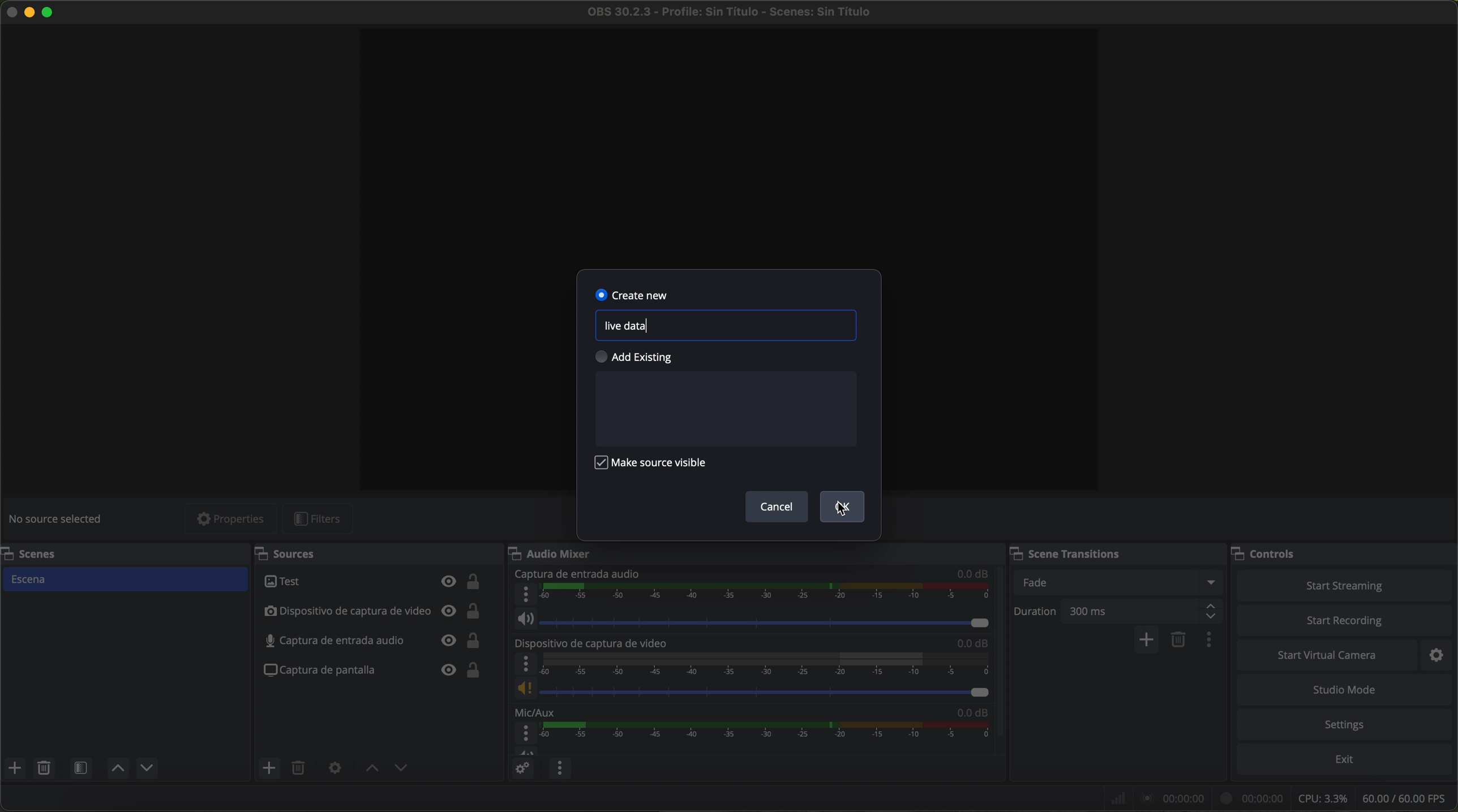 The image size is (1458, 812). What do you see at coordinates (556, 555) in the screenshot?
I see `audio mixer` at bounding box center [556, 555].